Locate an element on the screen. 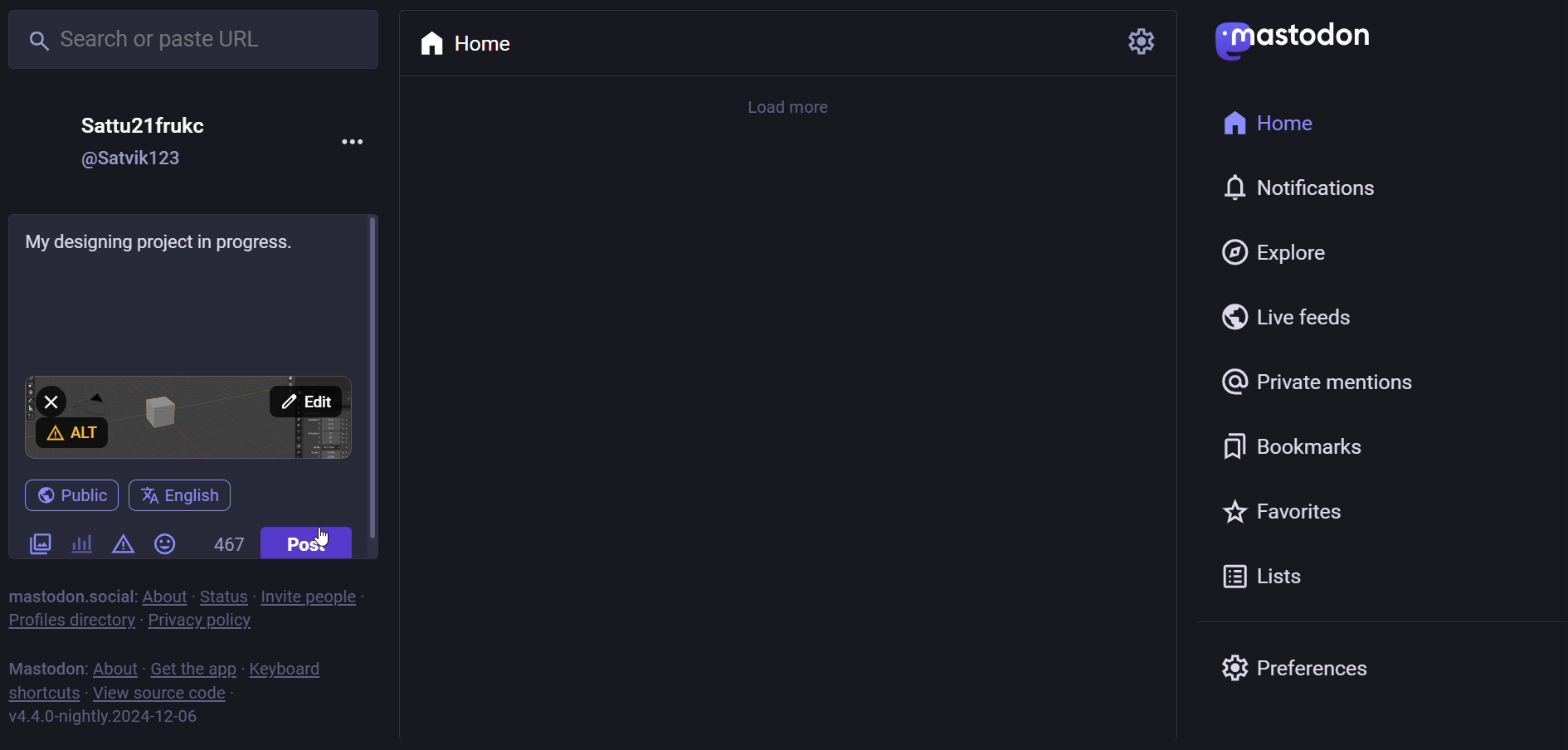 The height and width of the screenshot is (750, 1568). list is located at coordinates (1254, 577).